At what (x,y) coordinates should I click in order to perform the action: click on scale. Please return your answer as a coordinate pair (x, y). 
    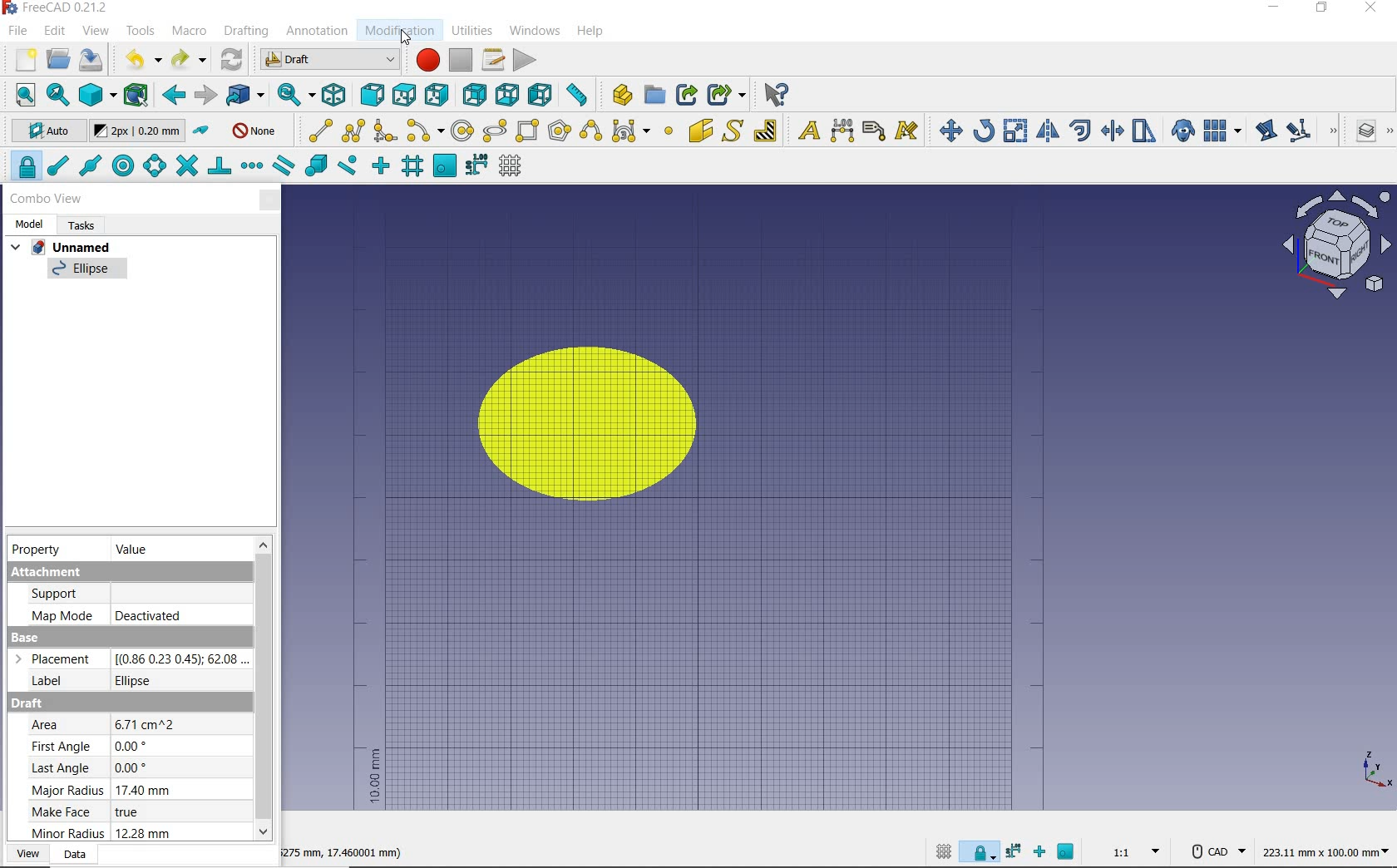
    Looking at the image, I should click on (1016, 130).